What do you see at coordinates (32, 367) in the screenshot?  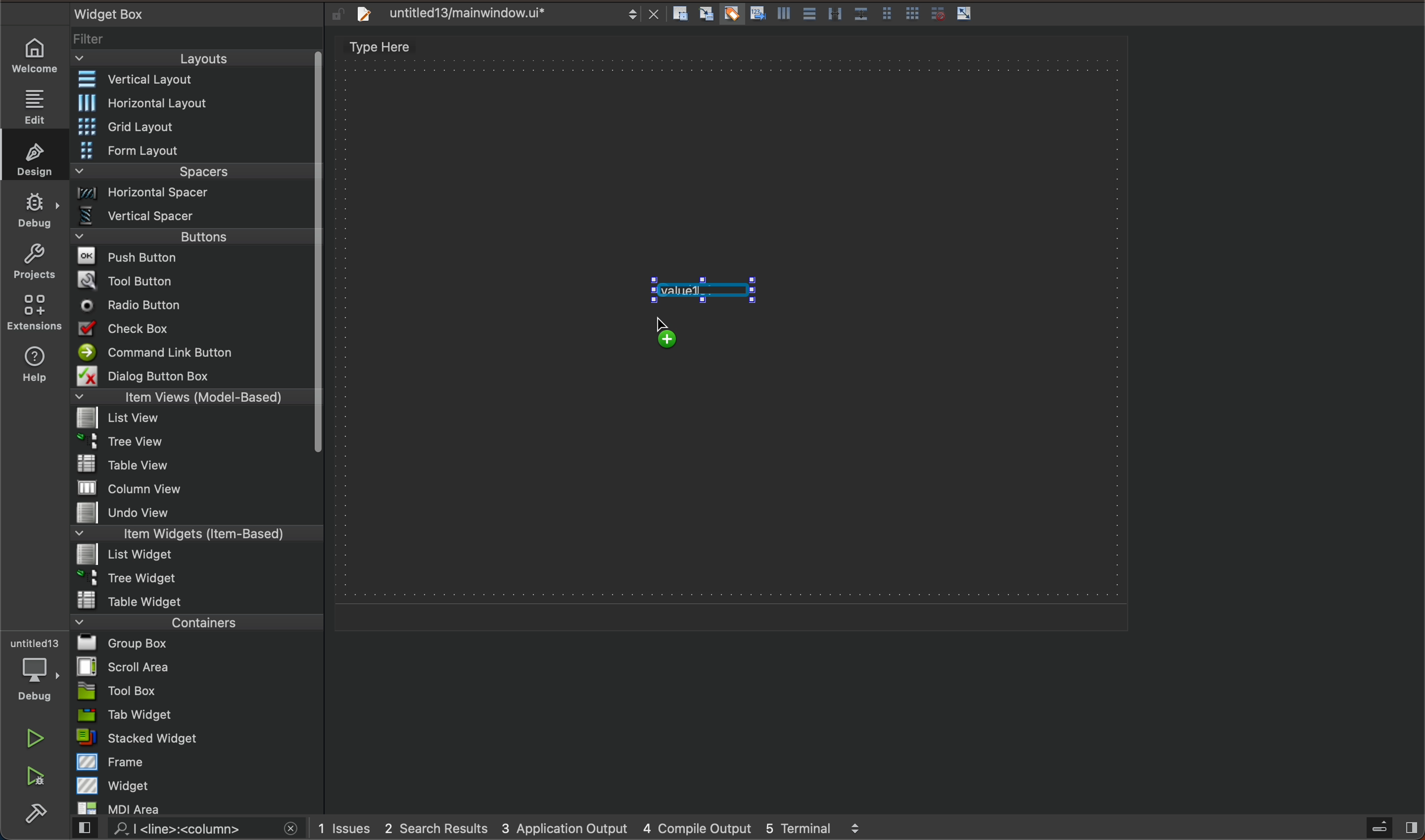 I see `help` at bounding box center [32, 367].